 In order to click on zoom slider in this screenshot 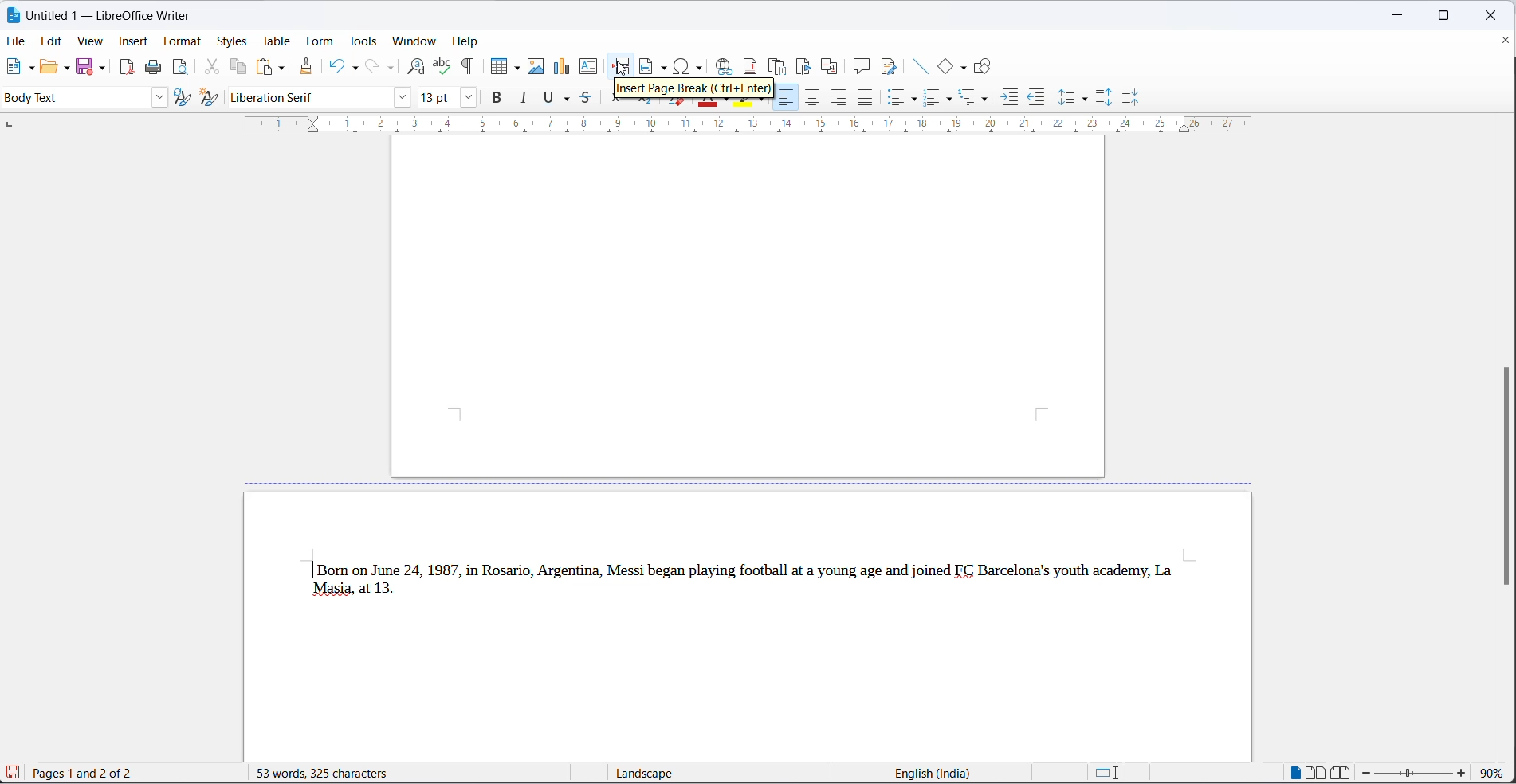, I will do `click(1413, 773)`.